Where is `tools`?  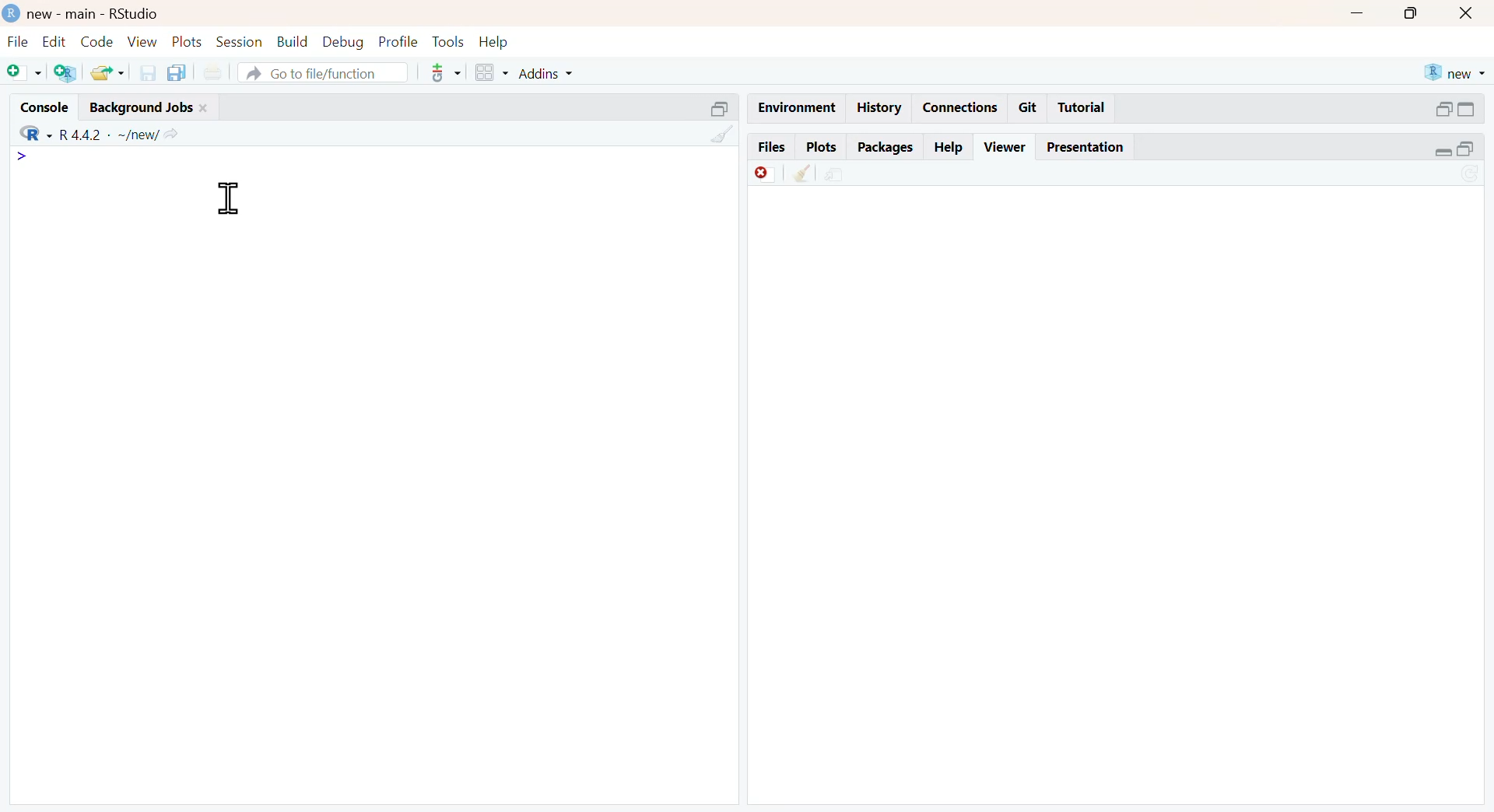
tools is located at coordinates (447, 72).